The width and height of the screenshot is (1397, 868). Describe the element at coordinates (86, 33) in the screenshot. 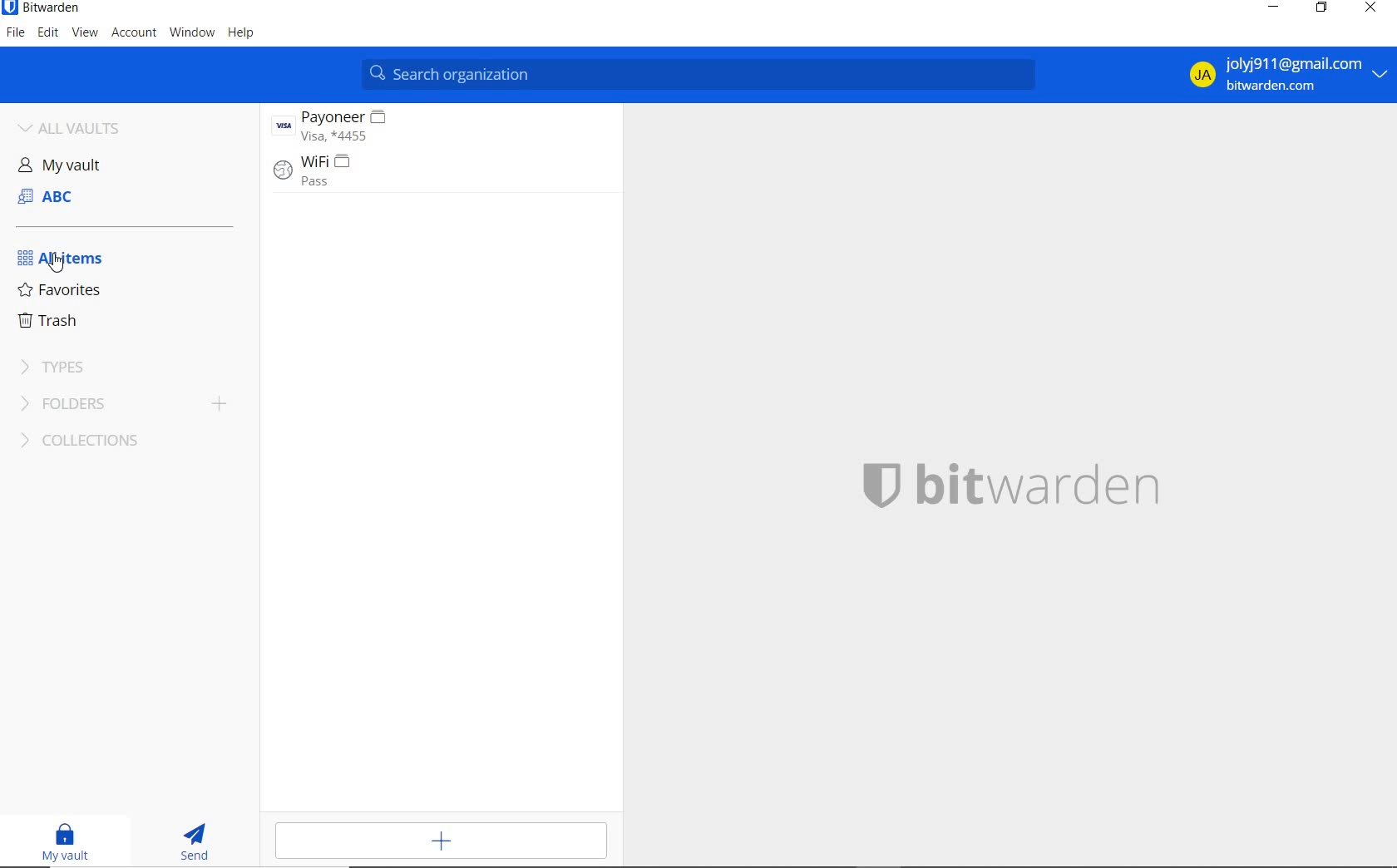

I see `VIEW` at that location.